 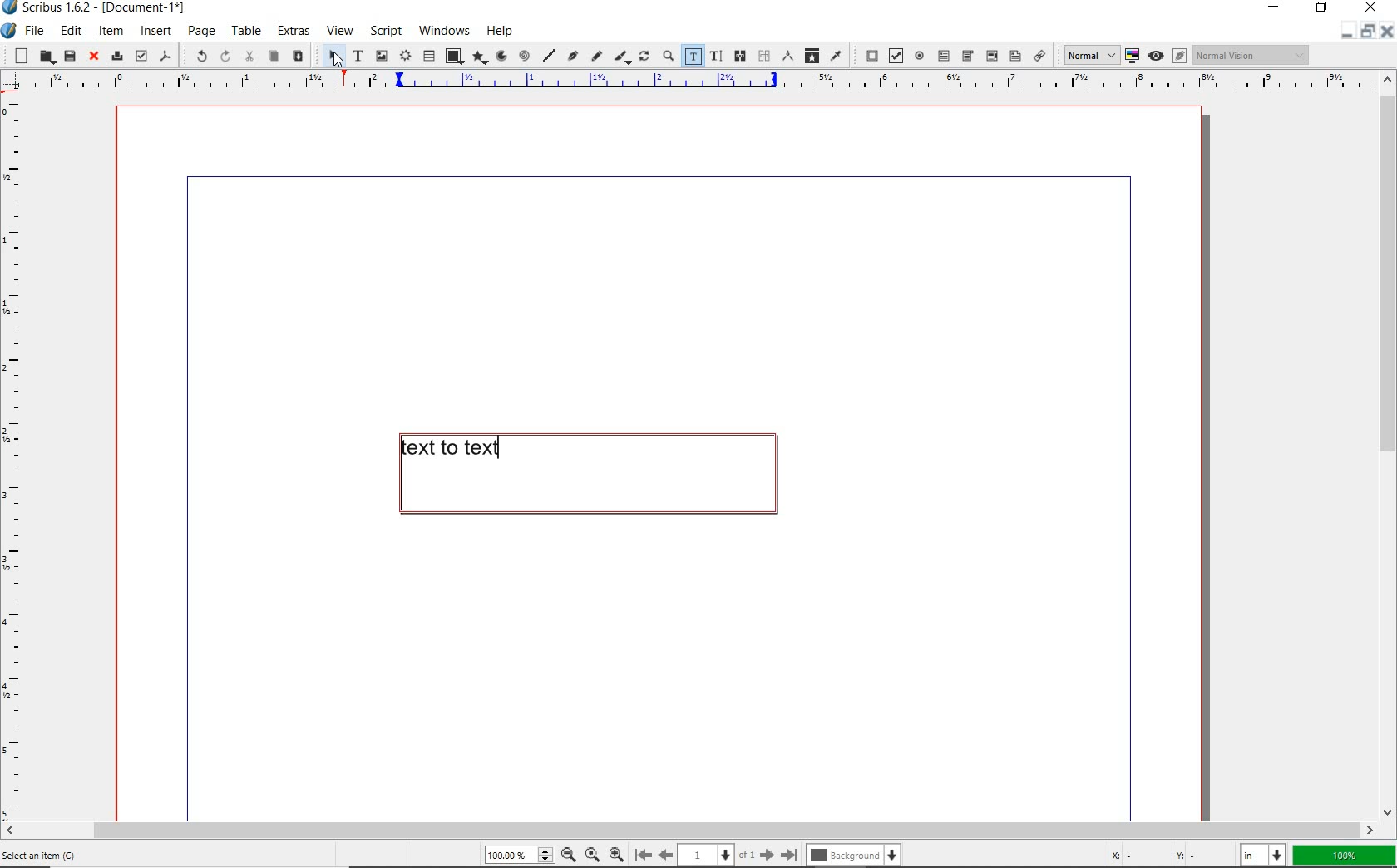 What do you see at coordinates (141, 57) in the screenshot?
I see `preflight verifier` at bounding box center [141, 57].